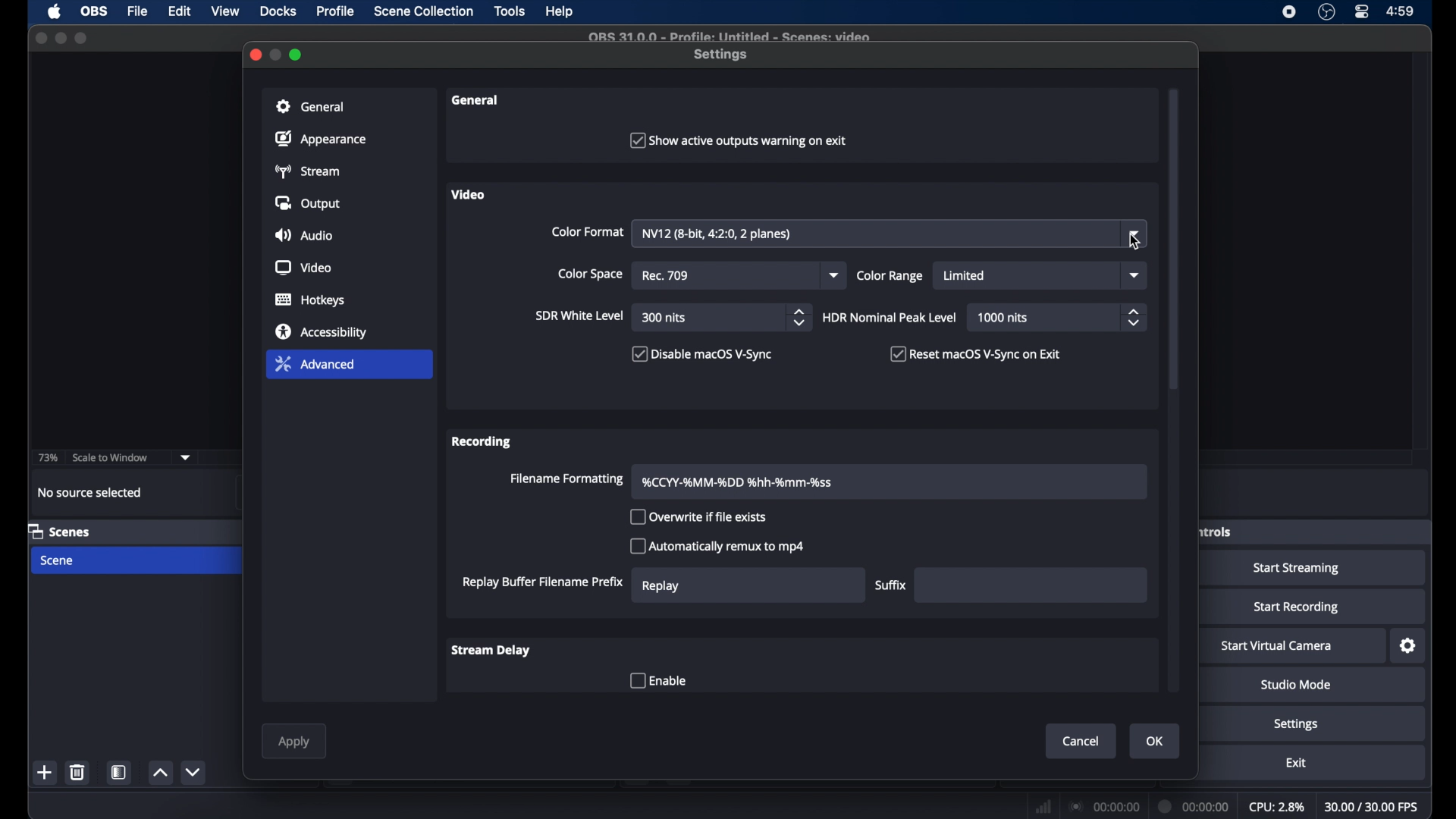 The height and width of the screenshot is (819, 1456). What do you see at coordinates (1195, 807) in the screenshot?
I see `00:00:00` at bounding box center [1195, 807].